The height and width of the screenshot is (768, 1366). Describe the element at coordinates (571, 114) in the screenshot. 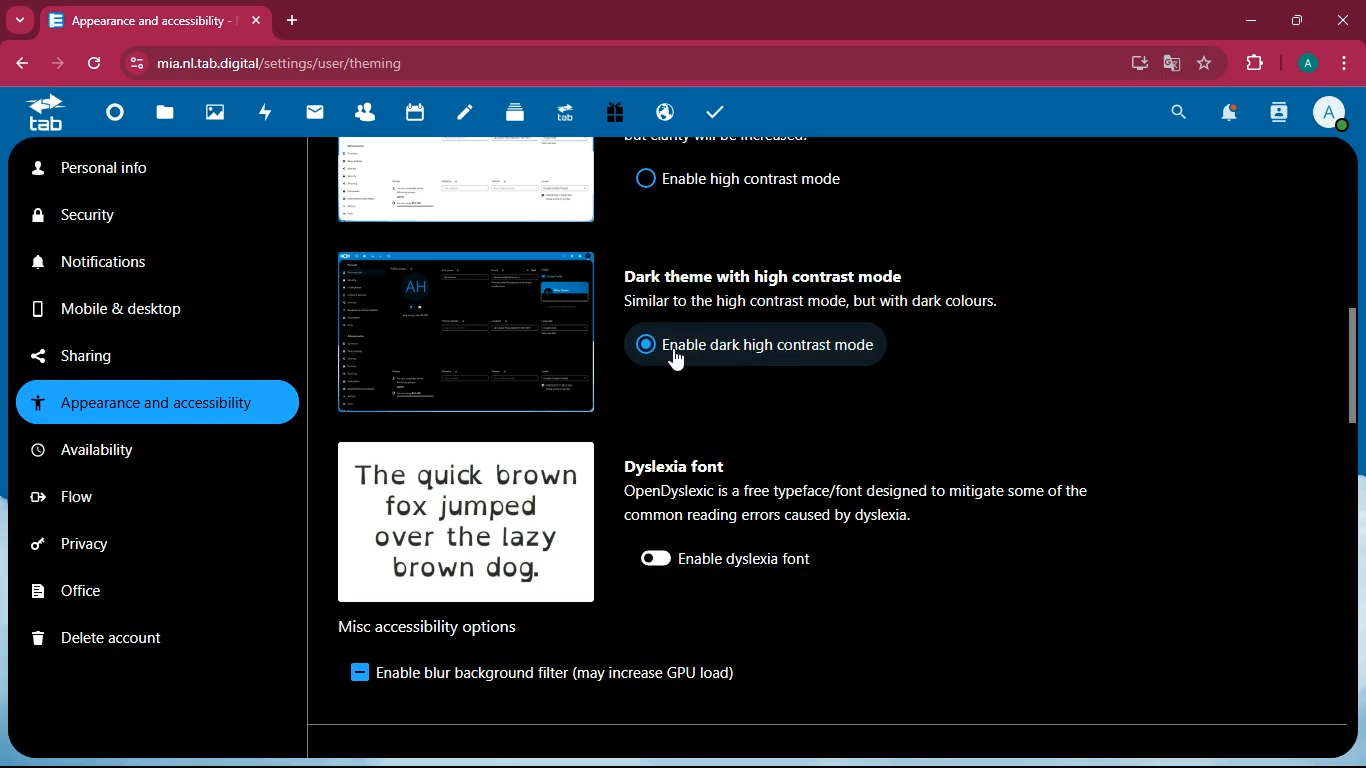

I see `tab` at that location.